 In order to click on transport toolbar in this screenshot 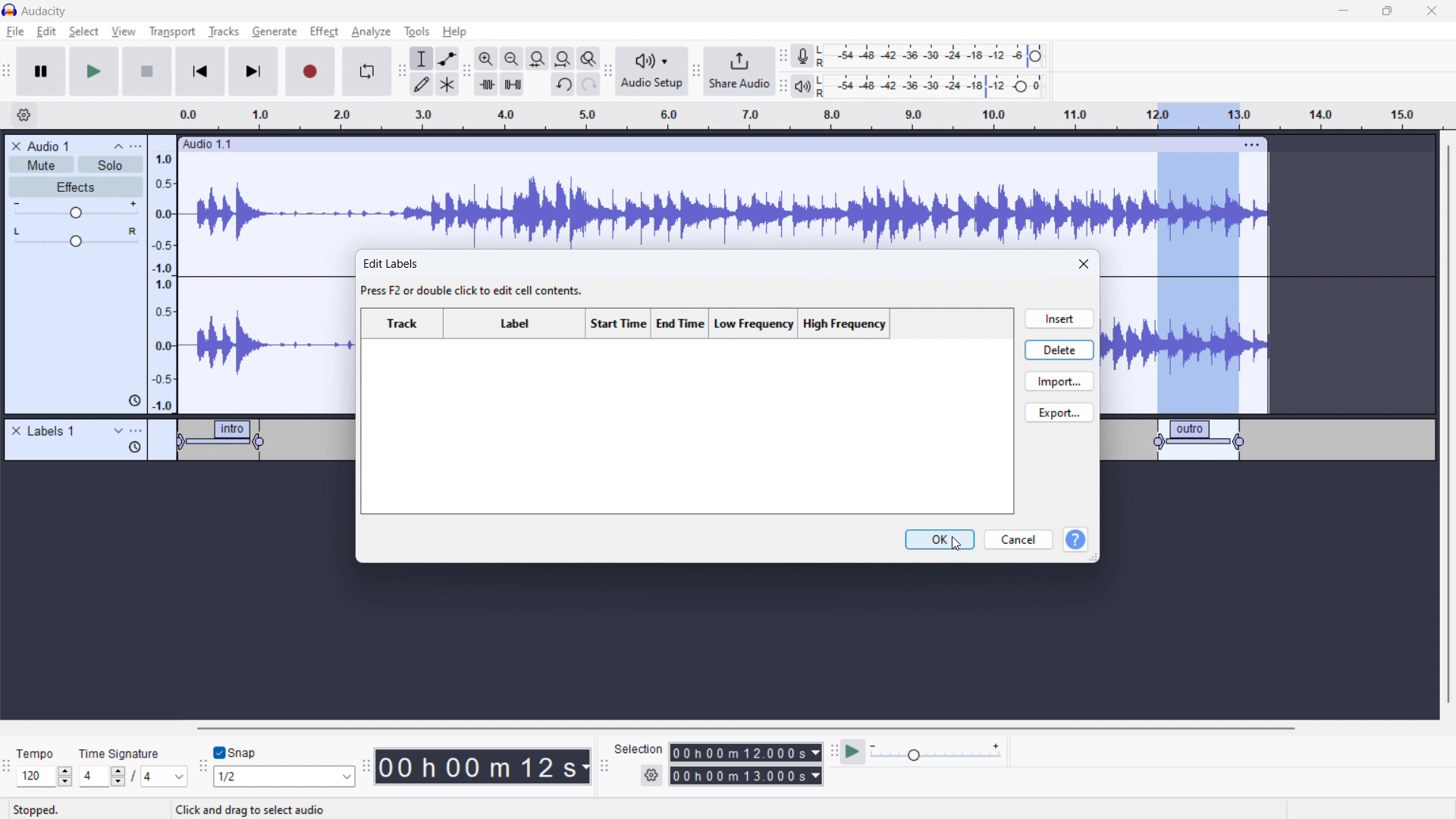, I will do `click(8, 74)`.